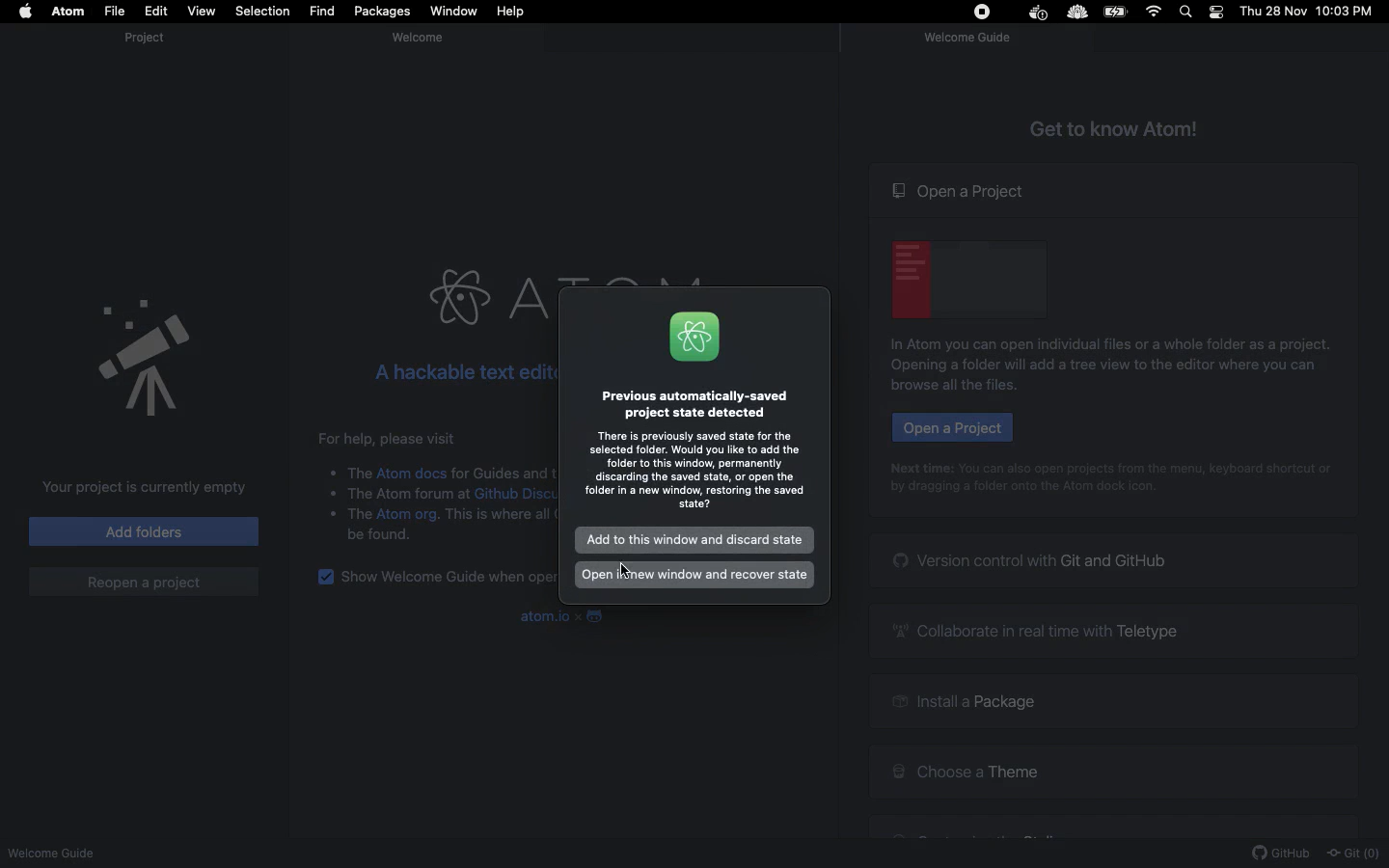  I want to click on checkbox, so click(324, 578).